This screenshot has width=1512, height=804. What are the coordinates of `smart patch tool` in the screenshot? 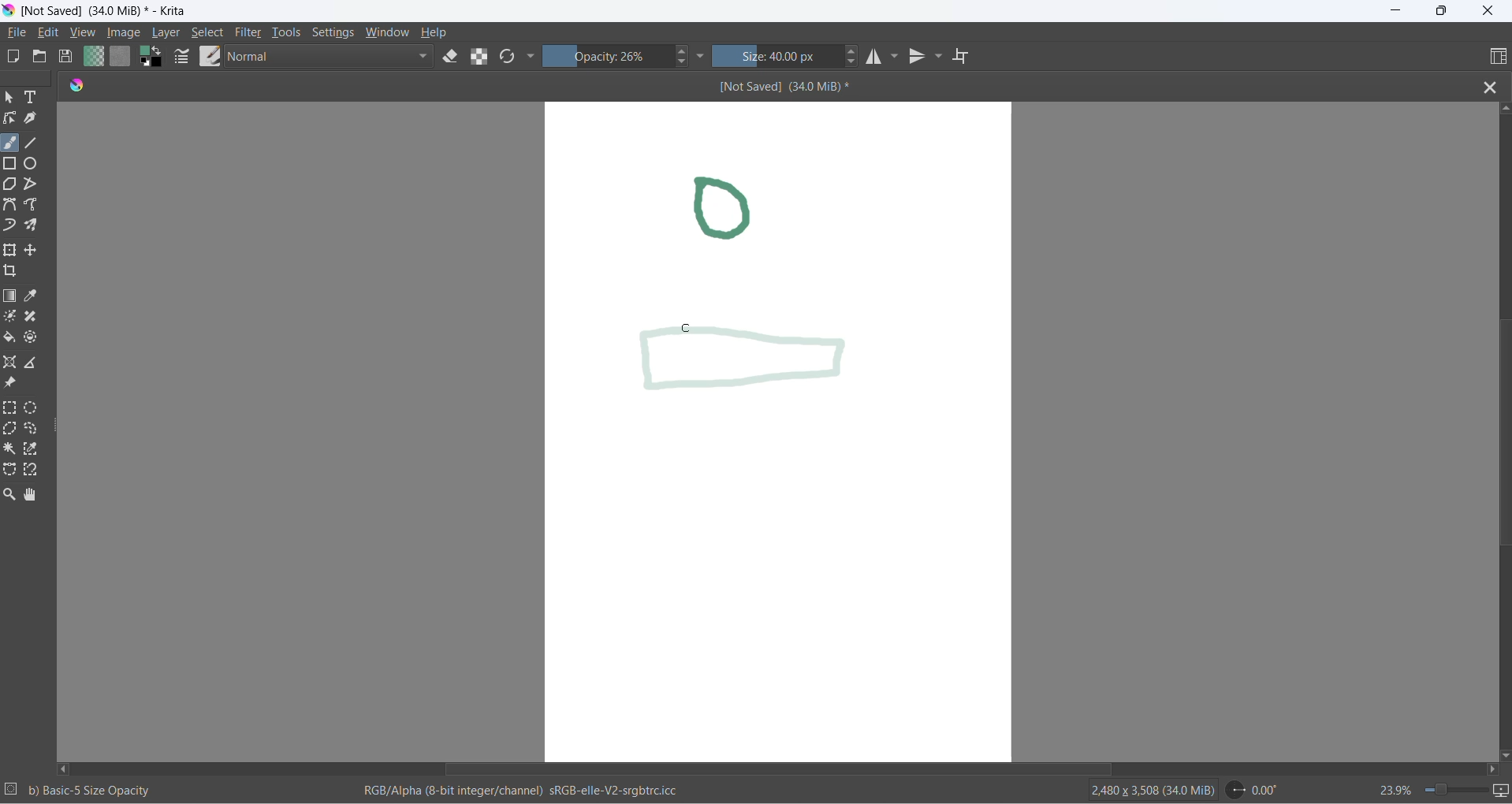 It's located at (36, 318).